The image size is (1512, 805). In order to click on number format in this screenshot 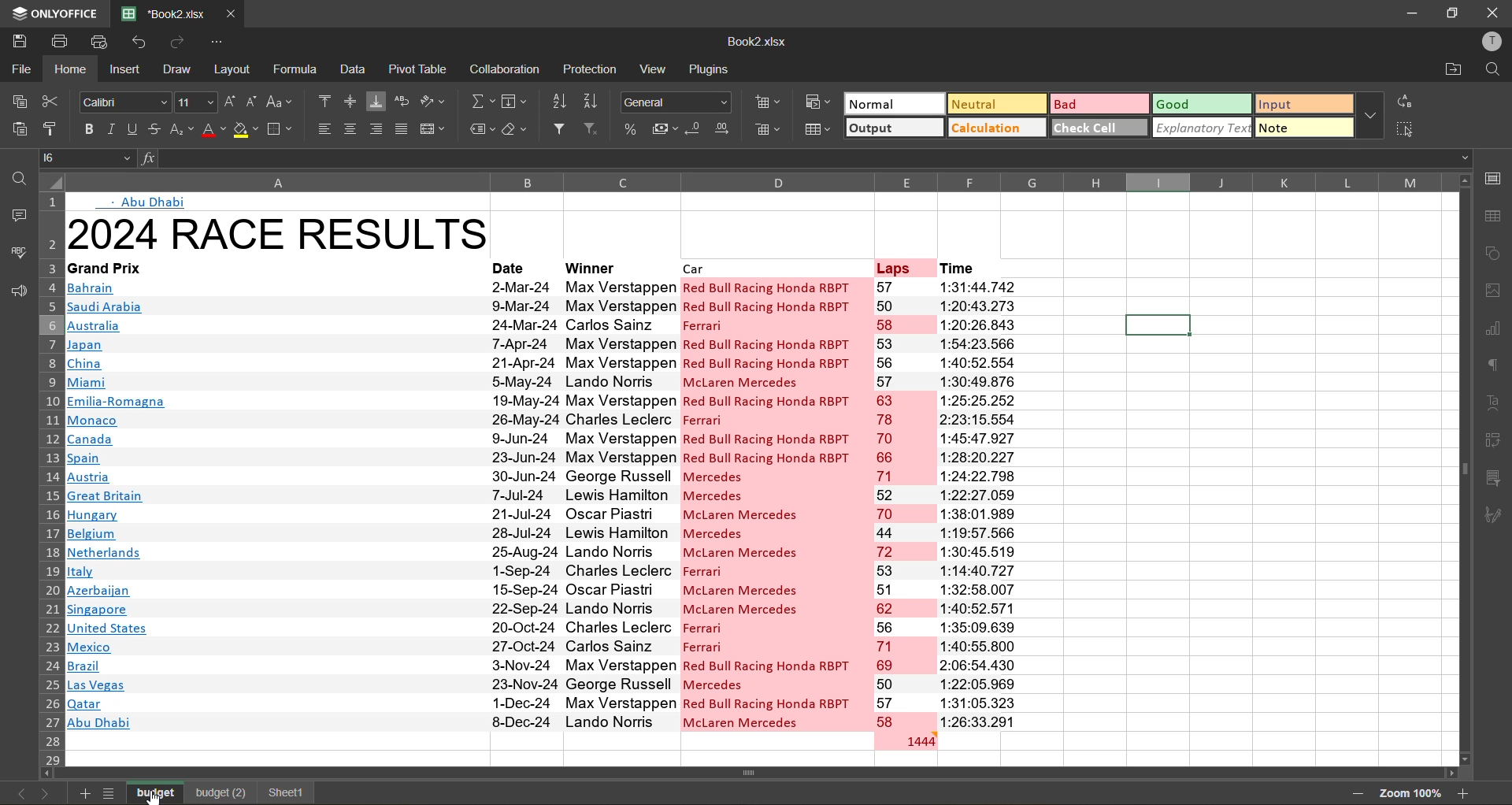, I will do `click(679, 101)`.